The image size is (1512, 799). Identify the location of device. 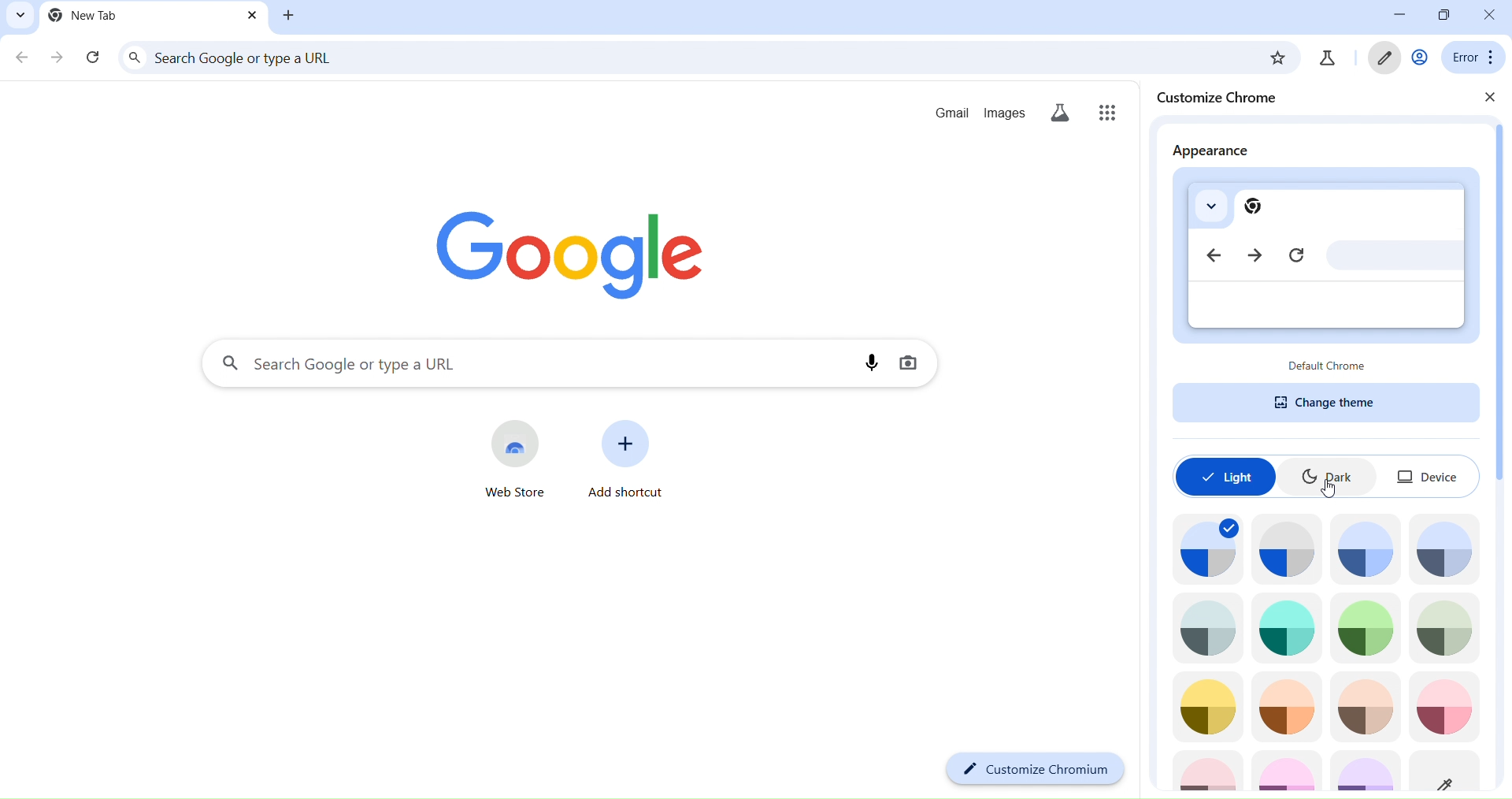
(1428, 477).